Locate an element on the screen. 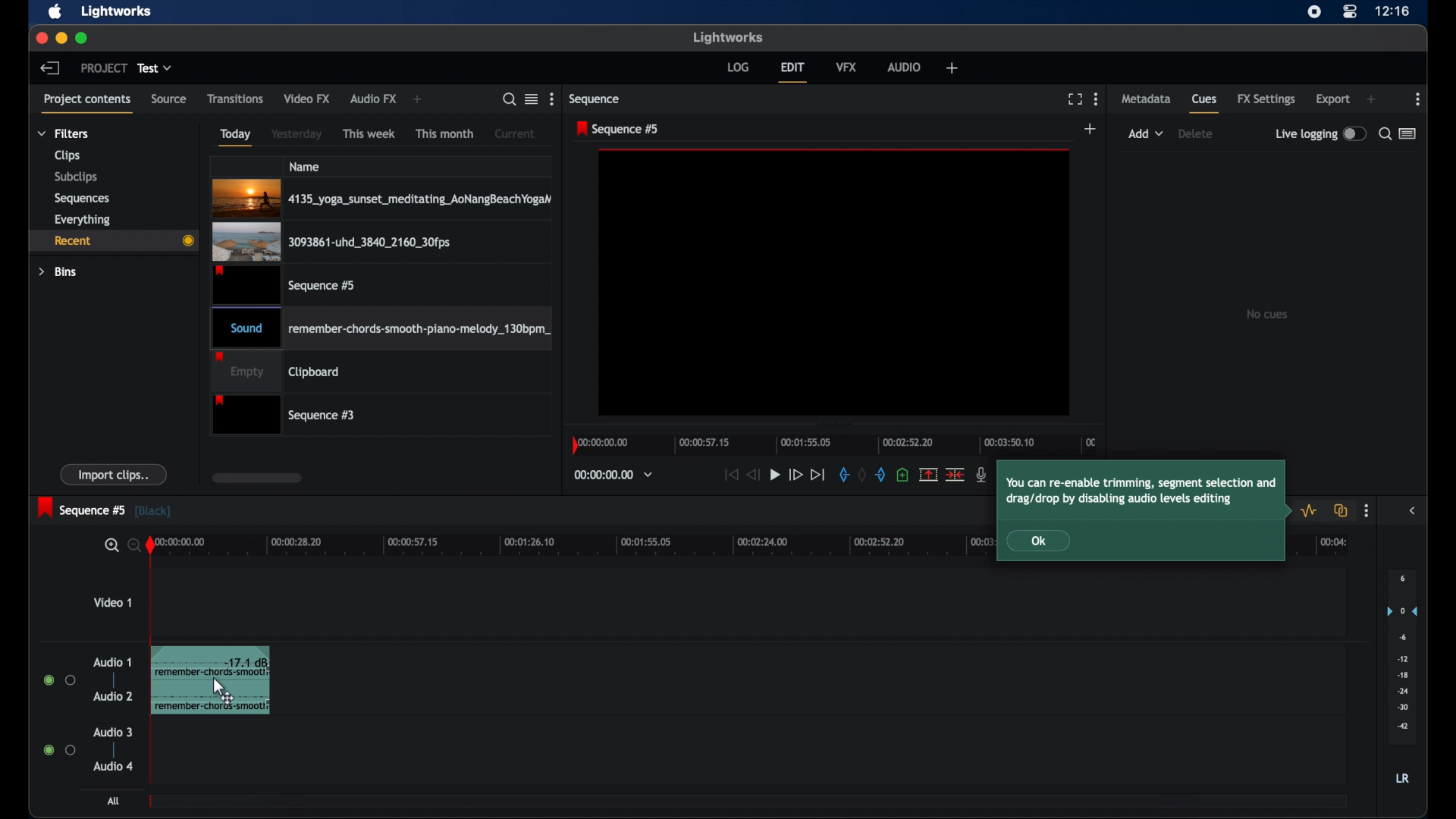 The image size is (1456, 819). Ok is located at coordinates (1047, 541).